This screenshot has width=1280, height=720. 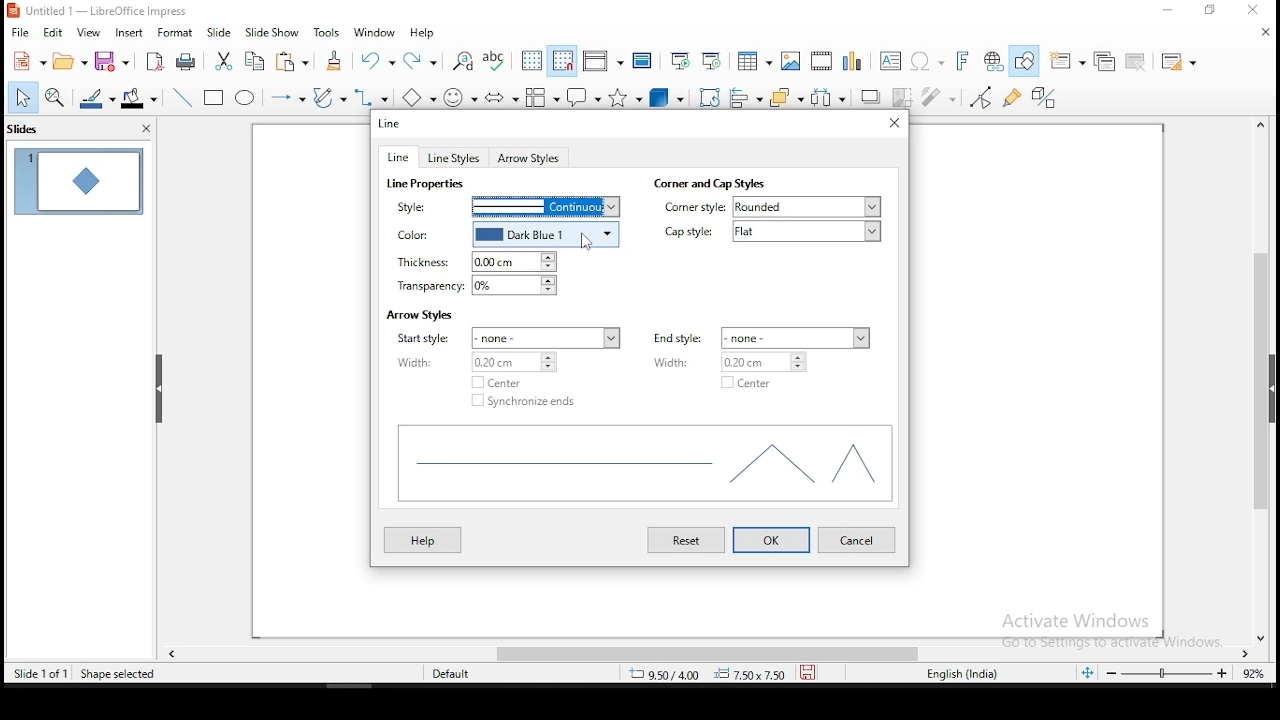 I want to click on default, so click(x=460, y=672).